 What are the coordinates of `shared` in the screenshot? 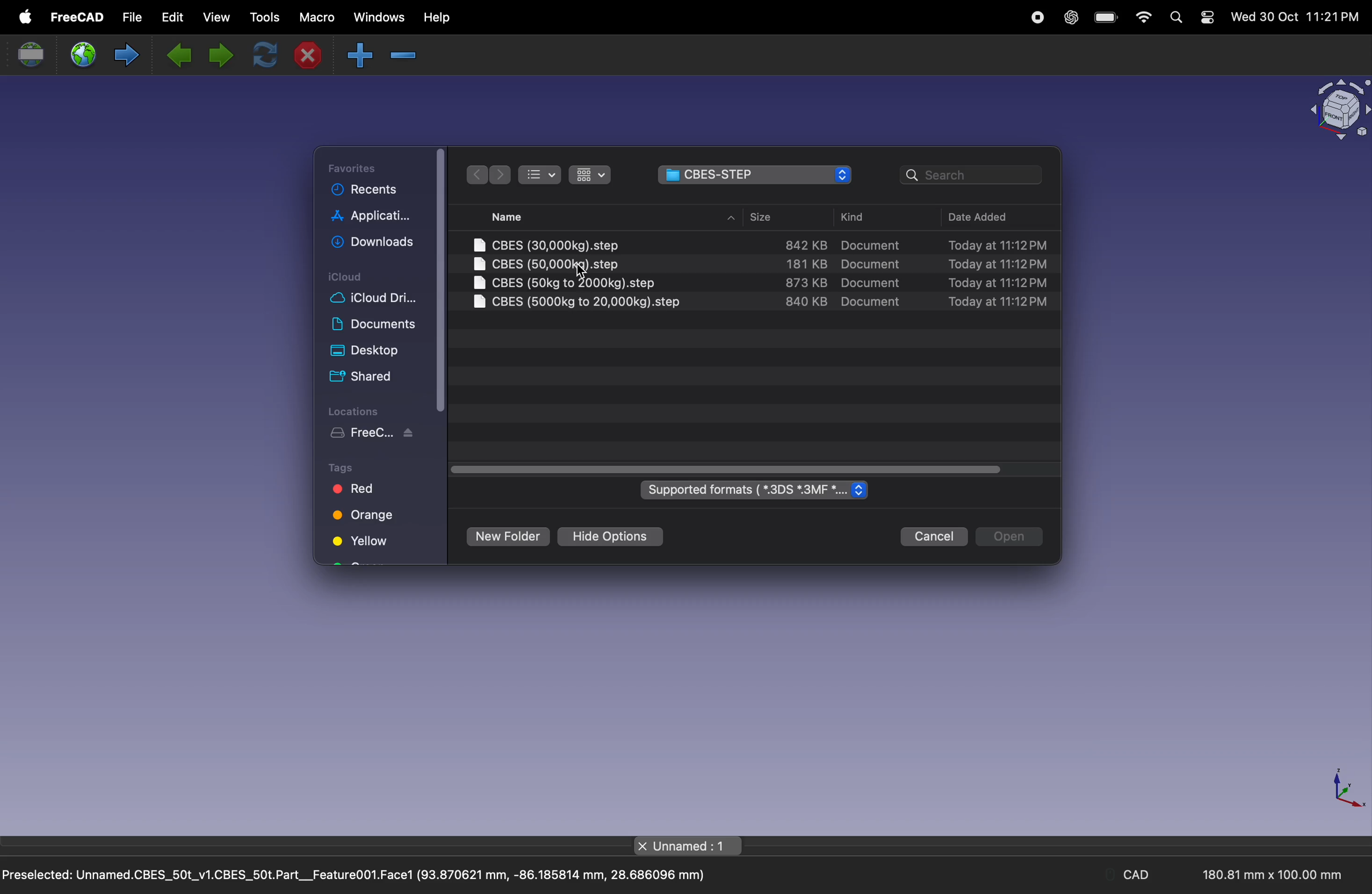 It's located at (360, 375).